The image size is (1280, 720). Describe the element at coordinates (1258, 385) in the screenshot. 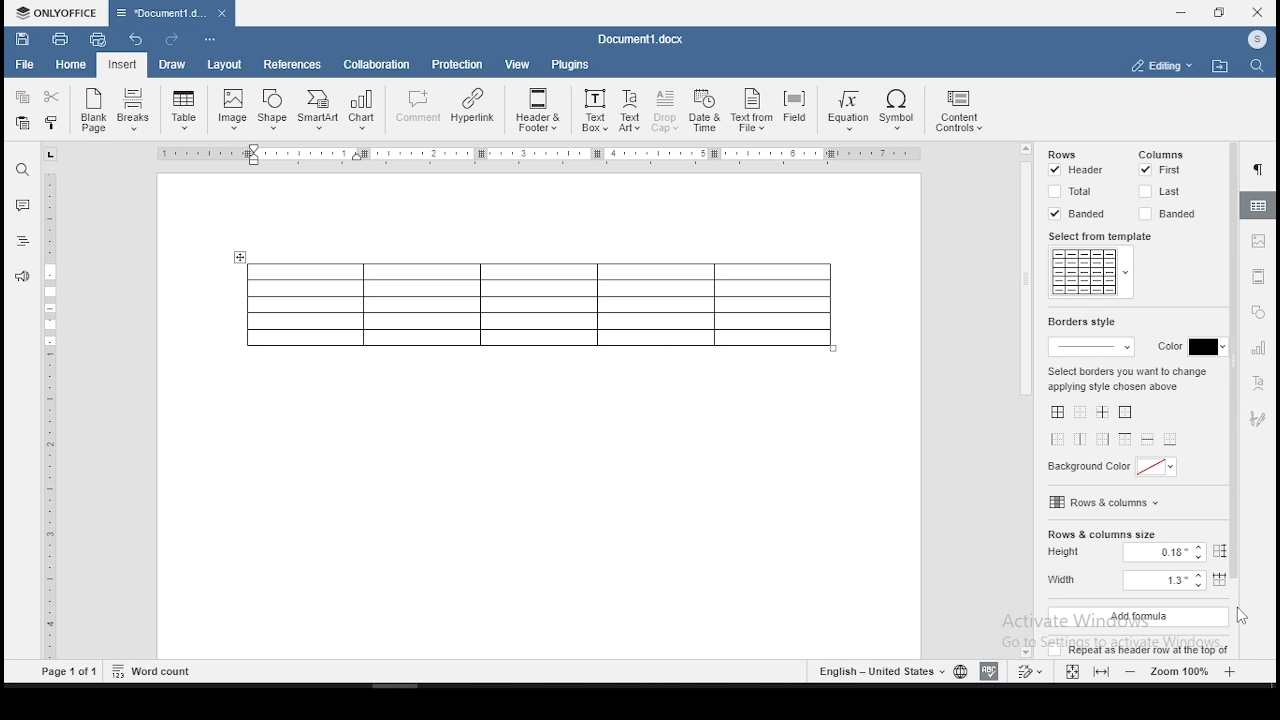

I see `text art settings` at that location.